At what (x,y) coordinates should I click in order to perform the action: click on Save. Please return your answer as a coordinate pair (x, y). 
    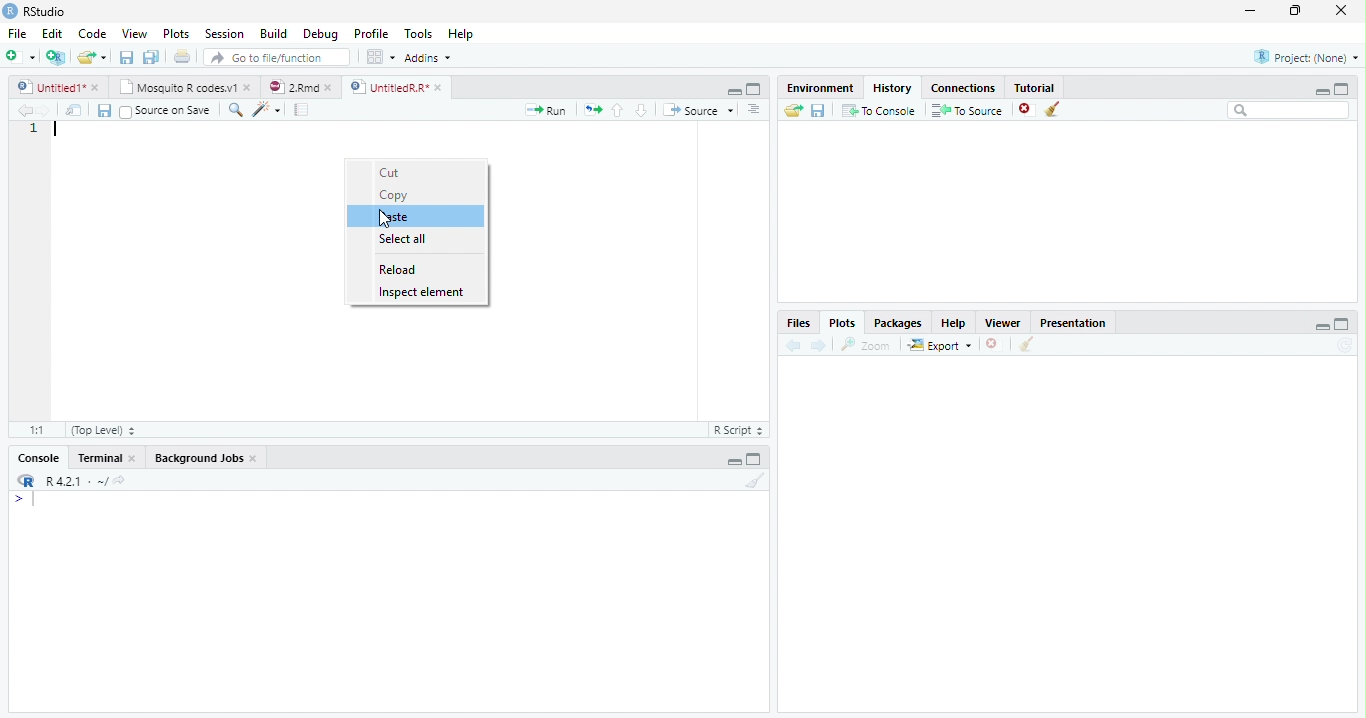
    Looking at the image, I should click on (125, 56).